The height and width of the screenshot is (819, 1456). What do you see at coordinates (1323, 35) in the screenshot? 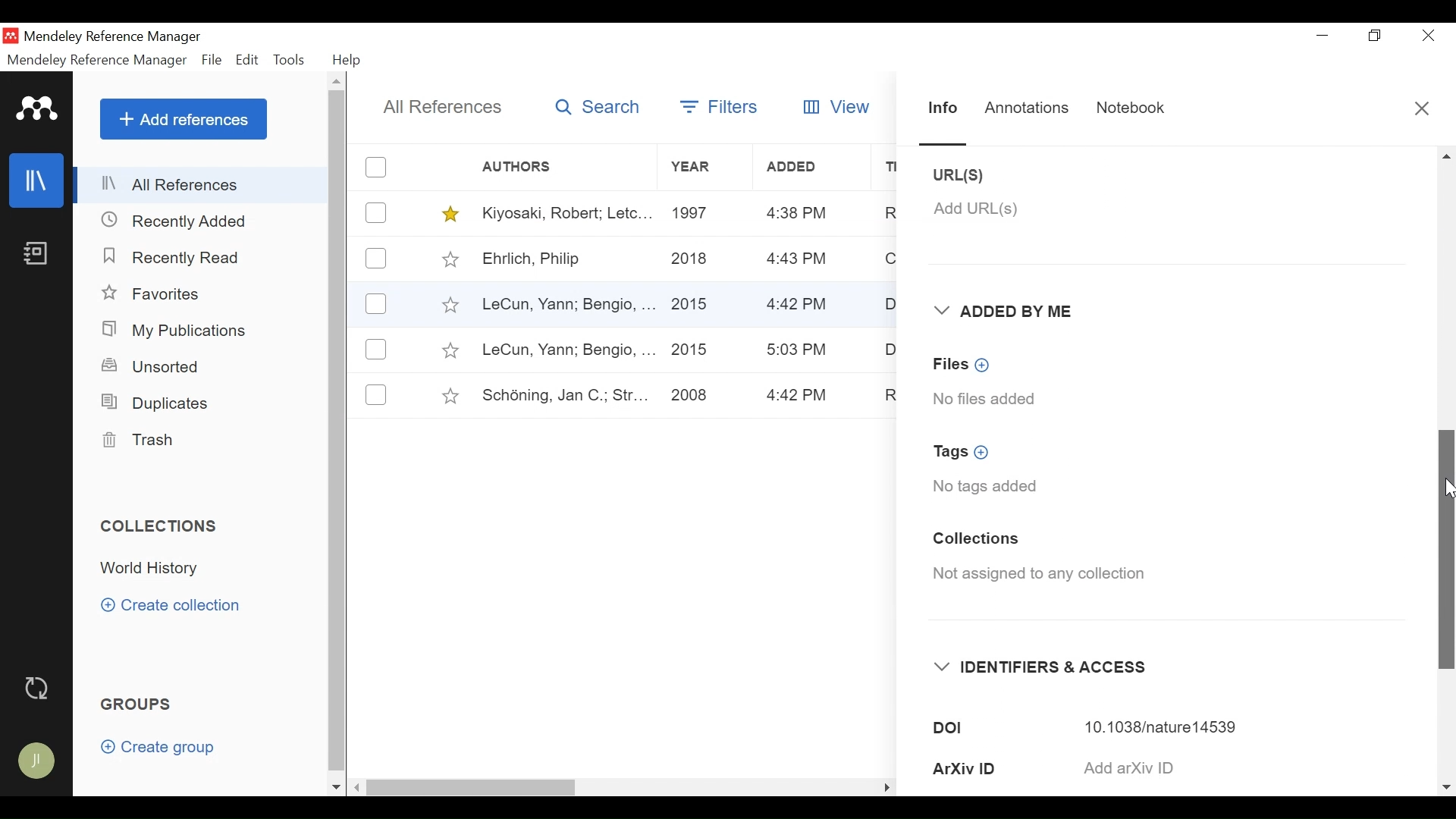
I see `minimize` at bounding box center [1323, 35].